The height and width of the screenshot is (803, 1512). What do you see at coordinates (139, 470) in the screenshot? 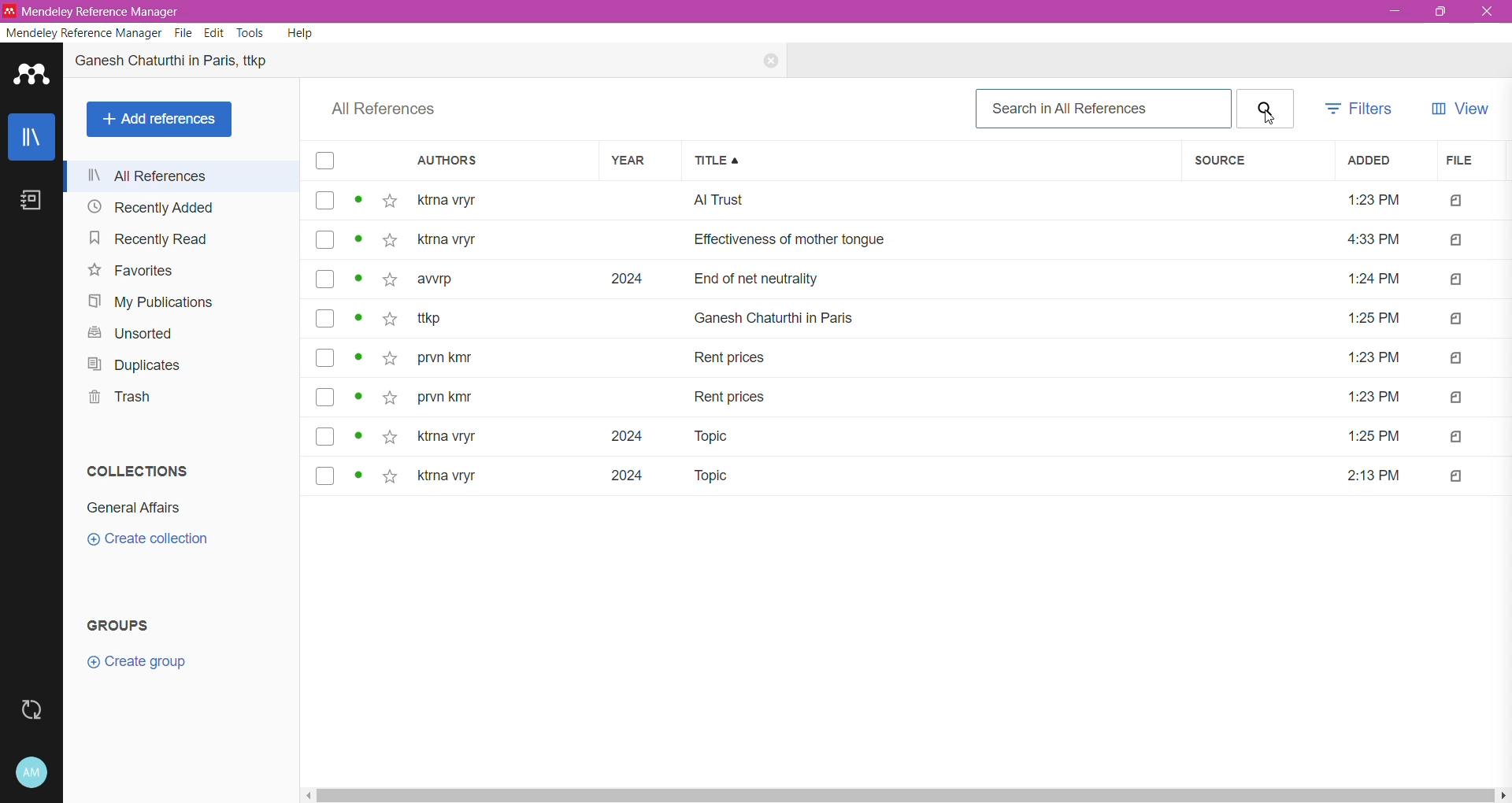
I see `Collections` at bounding box center [139, 470].